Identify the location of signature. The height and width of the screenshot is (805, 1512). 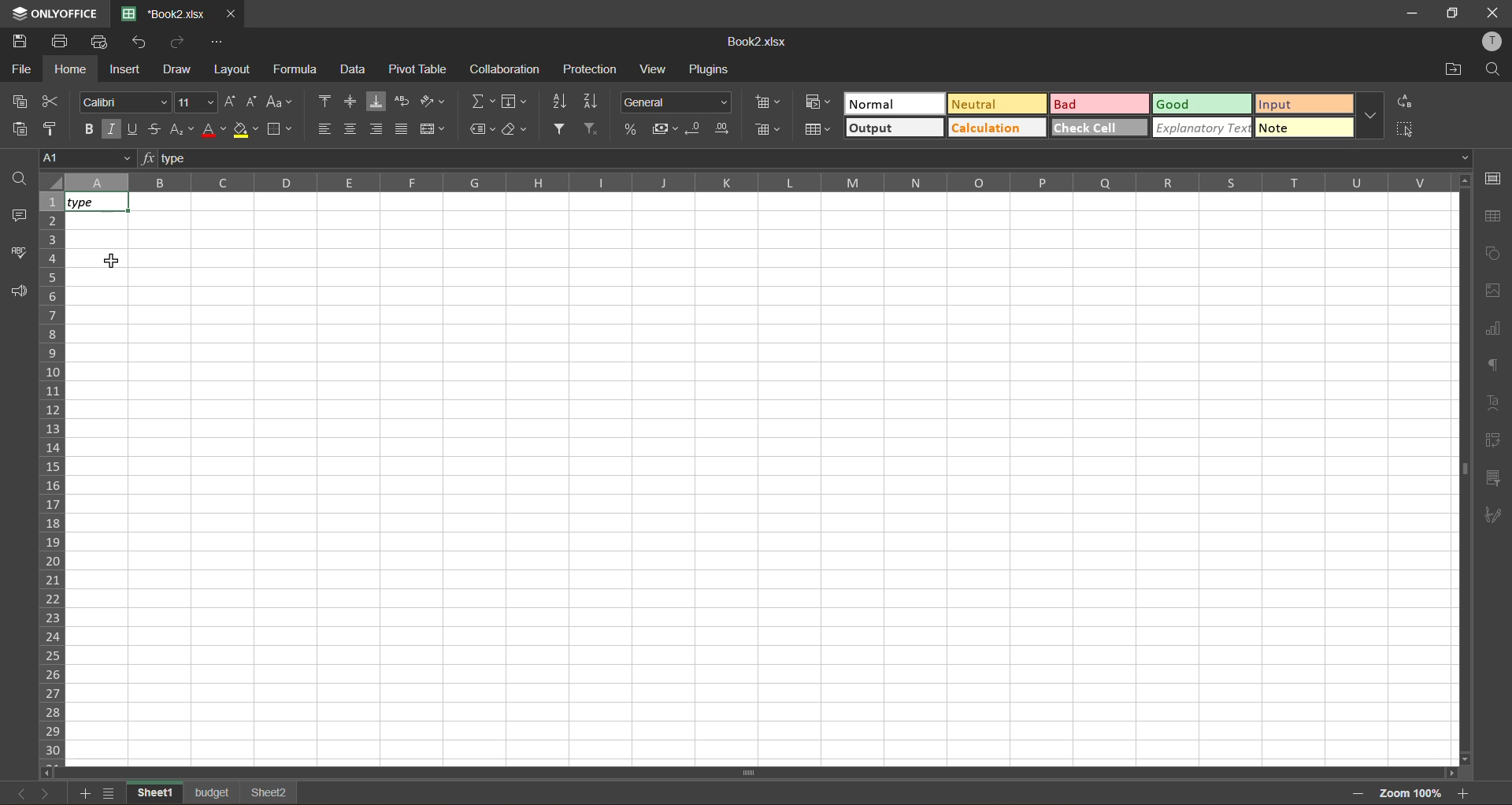
(1495, 518).